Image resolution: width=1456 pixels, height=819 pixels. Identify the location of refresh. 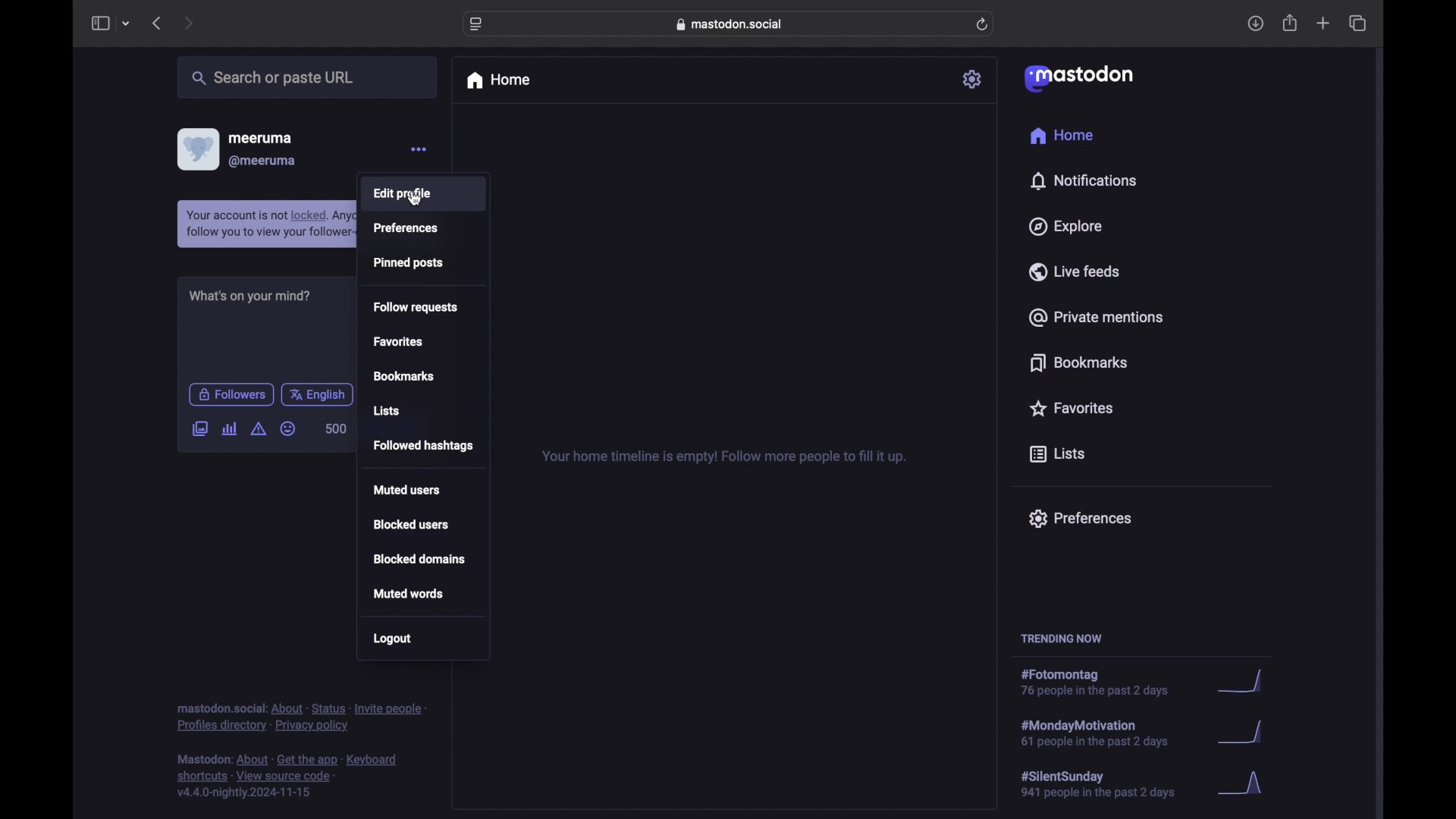
(983, 24).